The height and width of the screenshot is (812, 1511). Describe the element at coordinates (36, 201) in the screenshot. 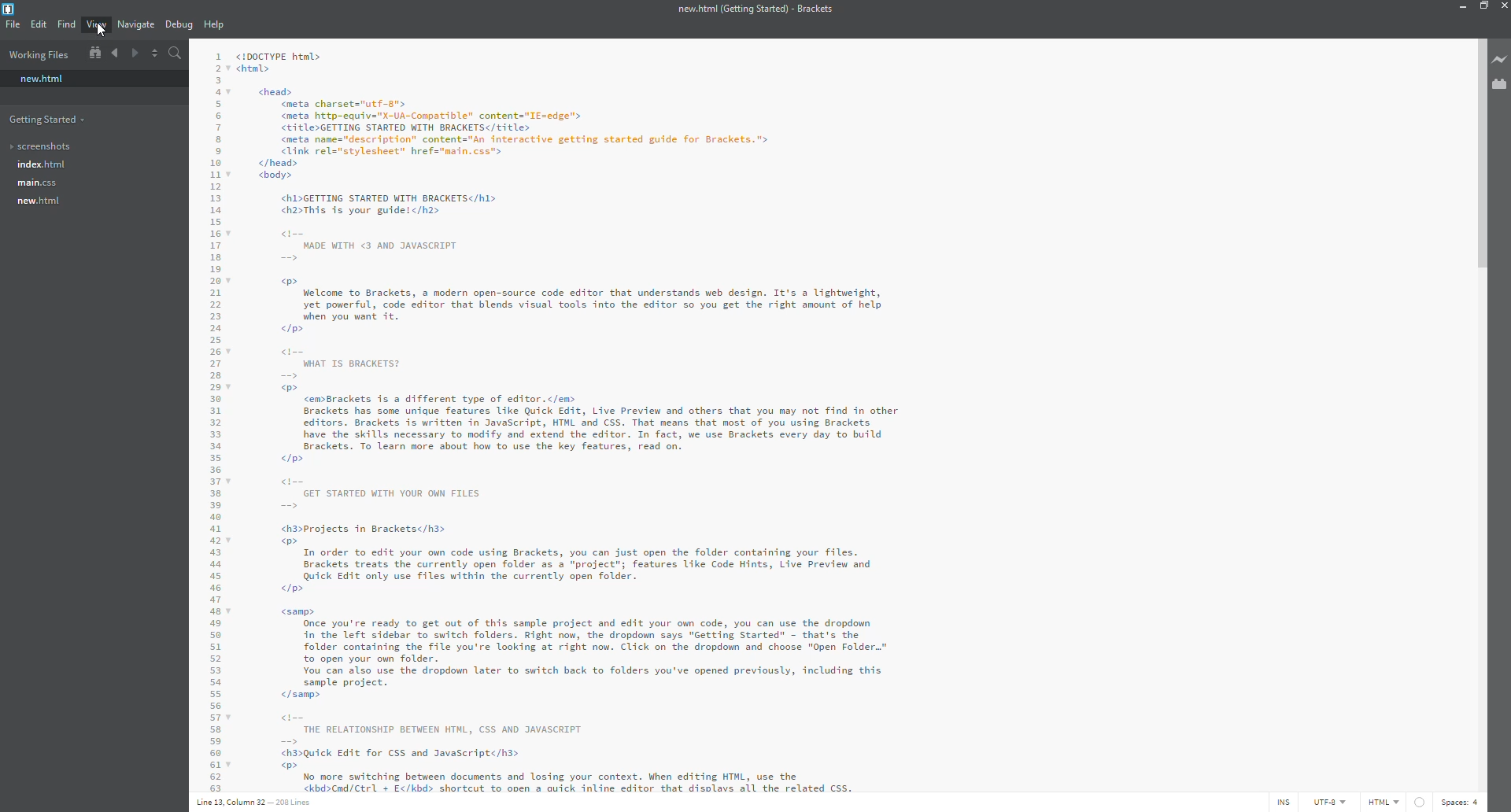

I see `new` at that location.